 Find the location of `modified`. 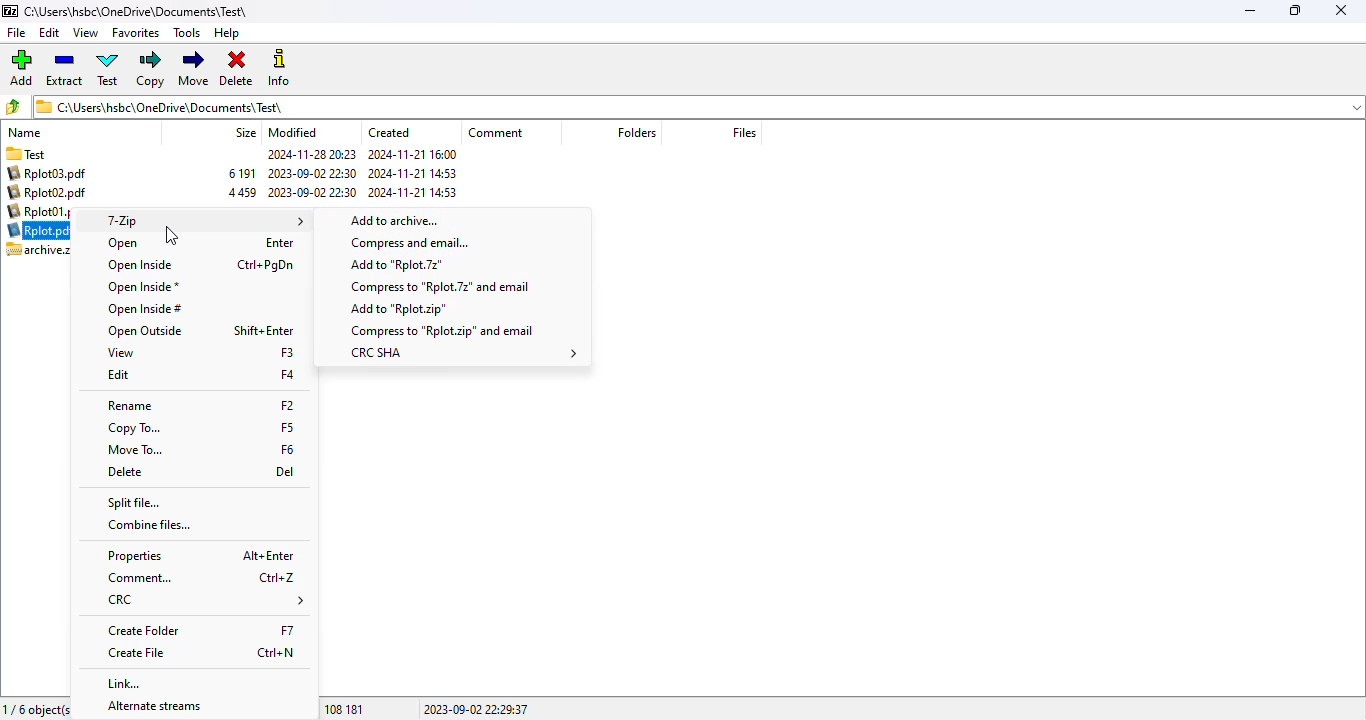

modified is located at coordinates (293, 132).